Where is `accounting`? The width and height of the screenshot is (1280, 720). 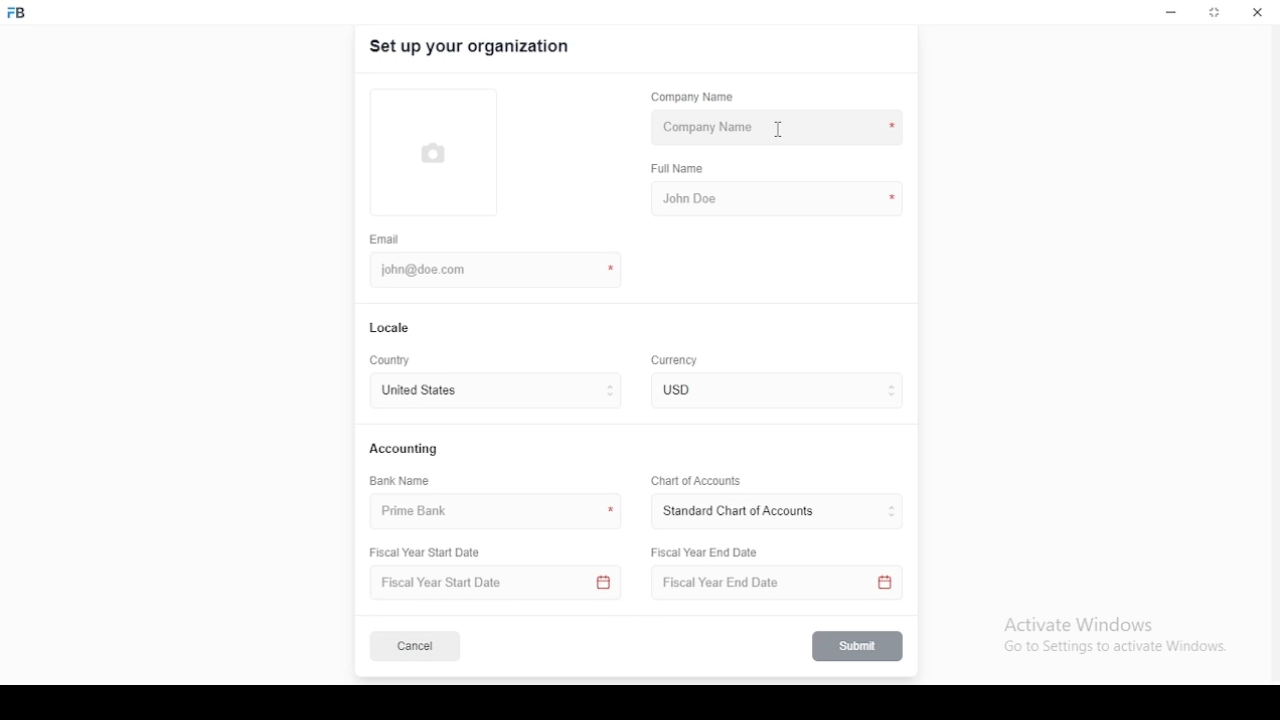 accounting is located at coordinates (405, 448).